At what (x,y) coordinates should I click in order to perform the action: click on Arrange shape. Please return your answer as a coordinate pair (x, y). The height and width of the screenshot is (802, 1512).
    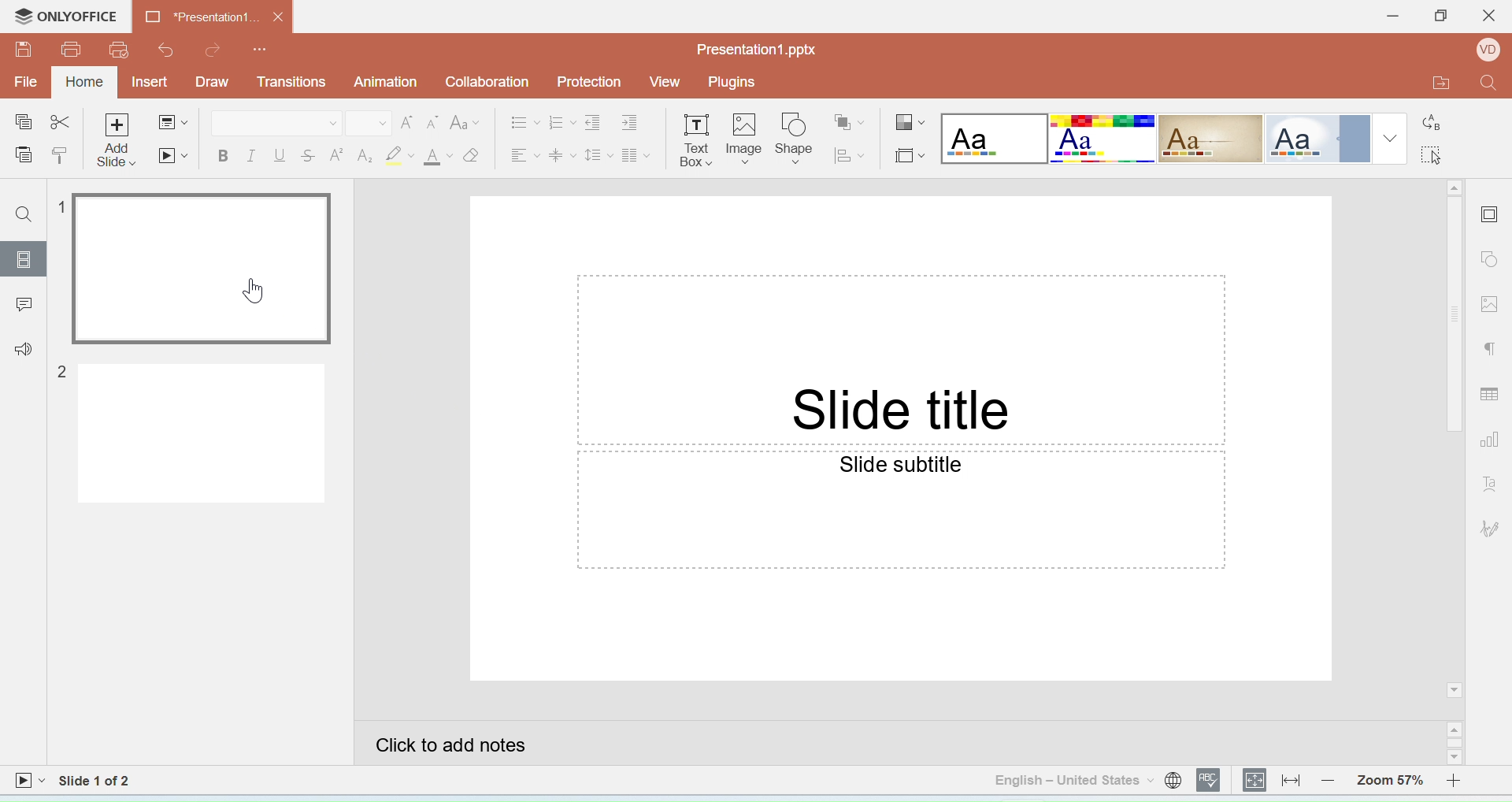
    Looking at the image, I should click on (851, 117).